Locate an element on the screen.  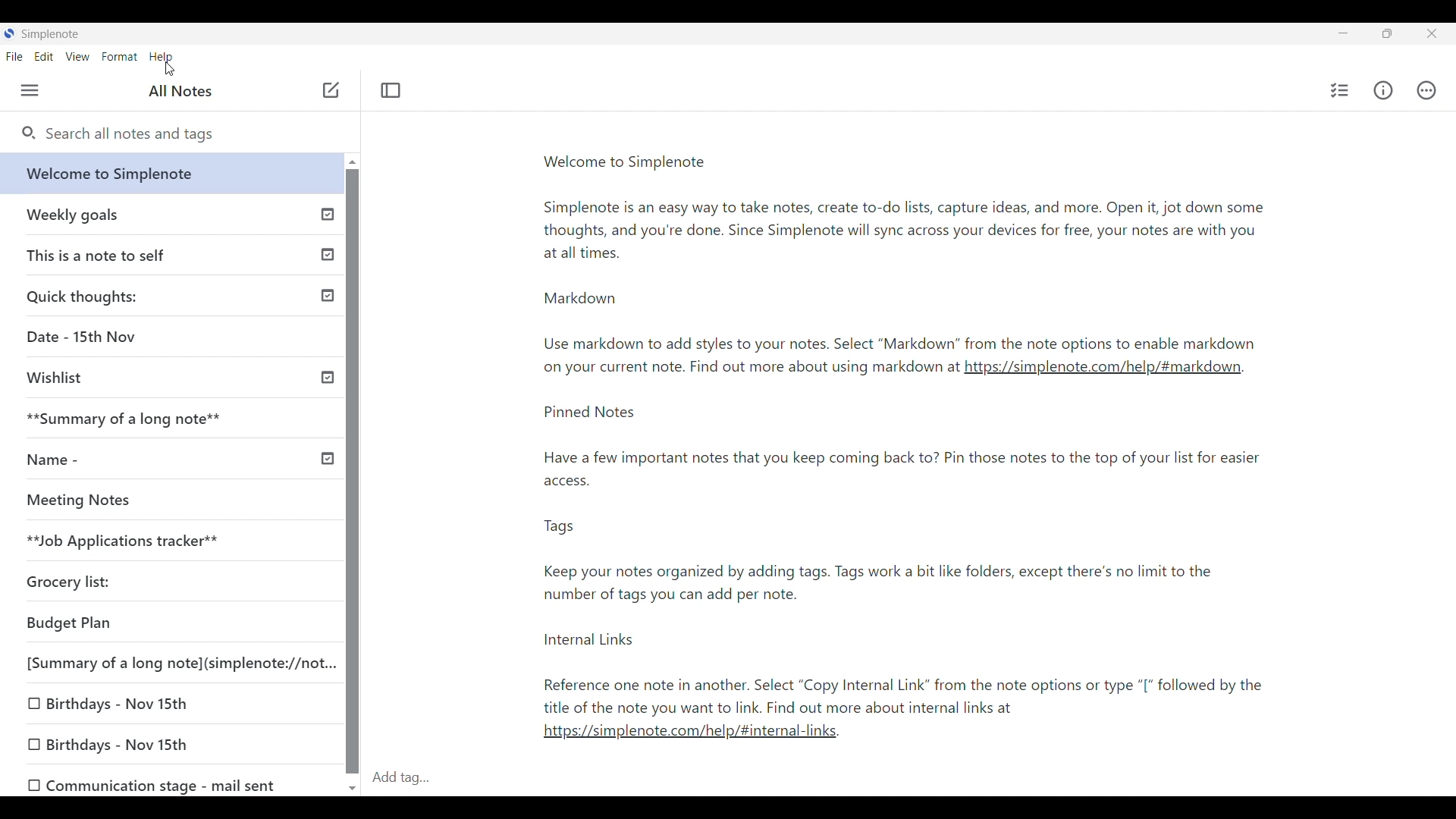
Date - 15th Nov is located at coordinates (174, 335).